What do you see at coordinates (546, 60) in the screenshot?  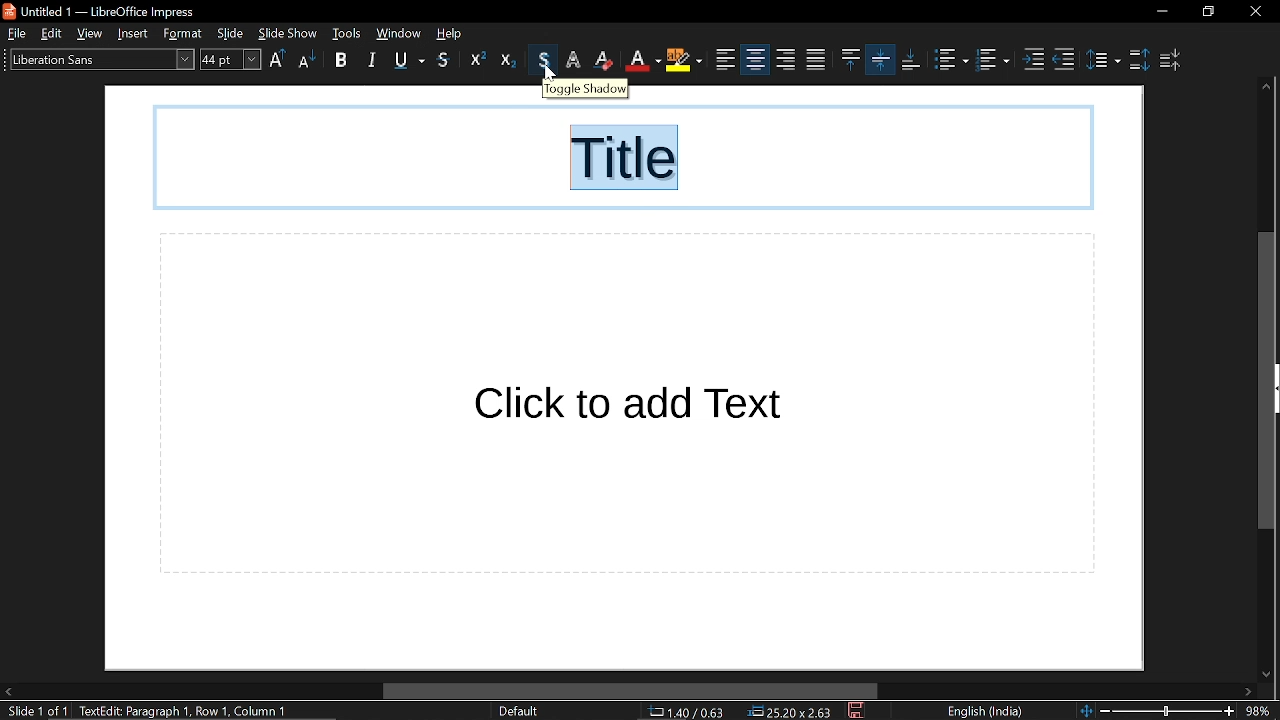 I see `outline` at bounding box center [546, 60].